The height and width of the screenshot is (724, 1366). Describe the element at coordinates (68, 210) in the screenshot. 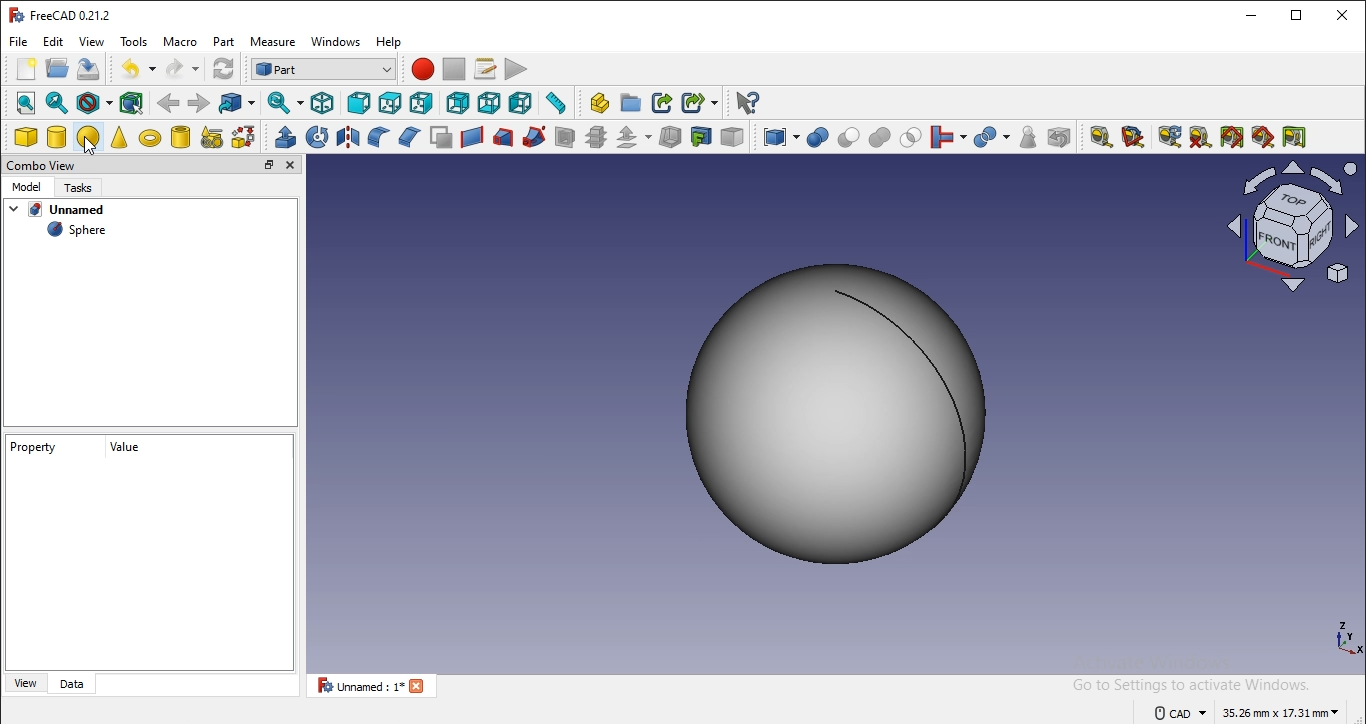

I see `unnamed` at that location.